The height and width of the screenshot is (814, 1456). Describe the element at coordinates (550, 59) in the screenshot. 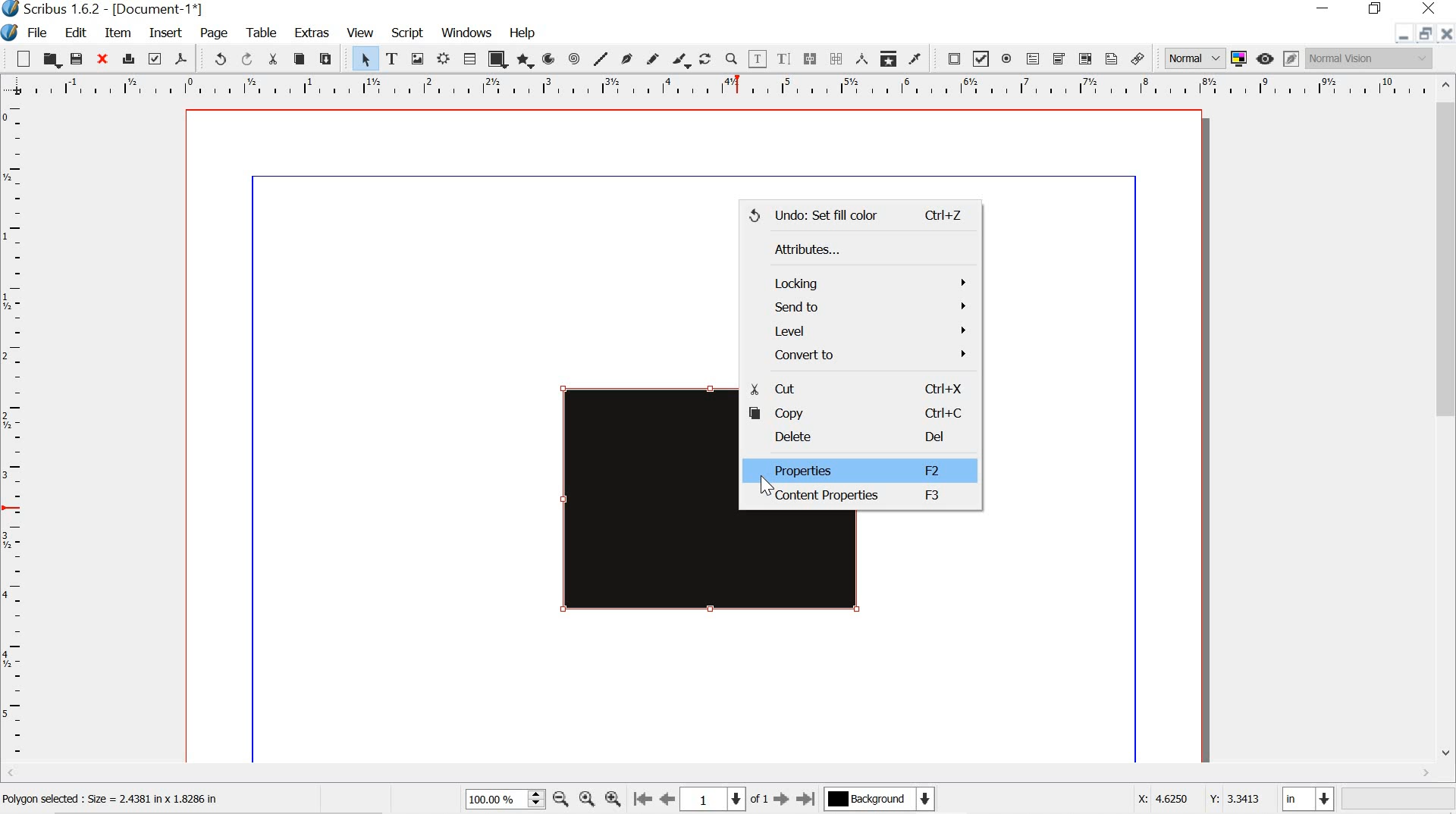

I see `arc` at that location.